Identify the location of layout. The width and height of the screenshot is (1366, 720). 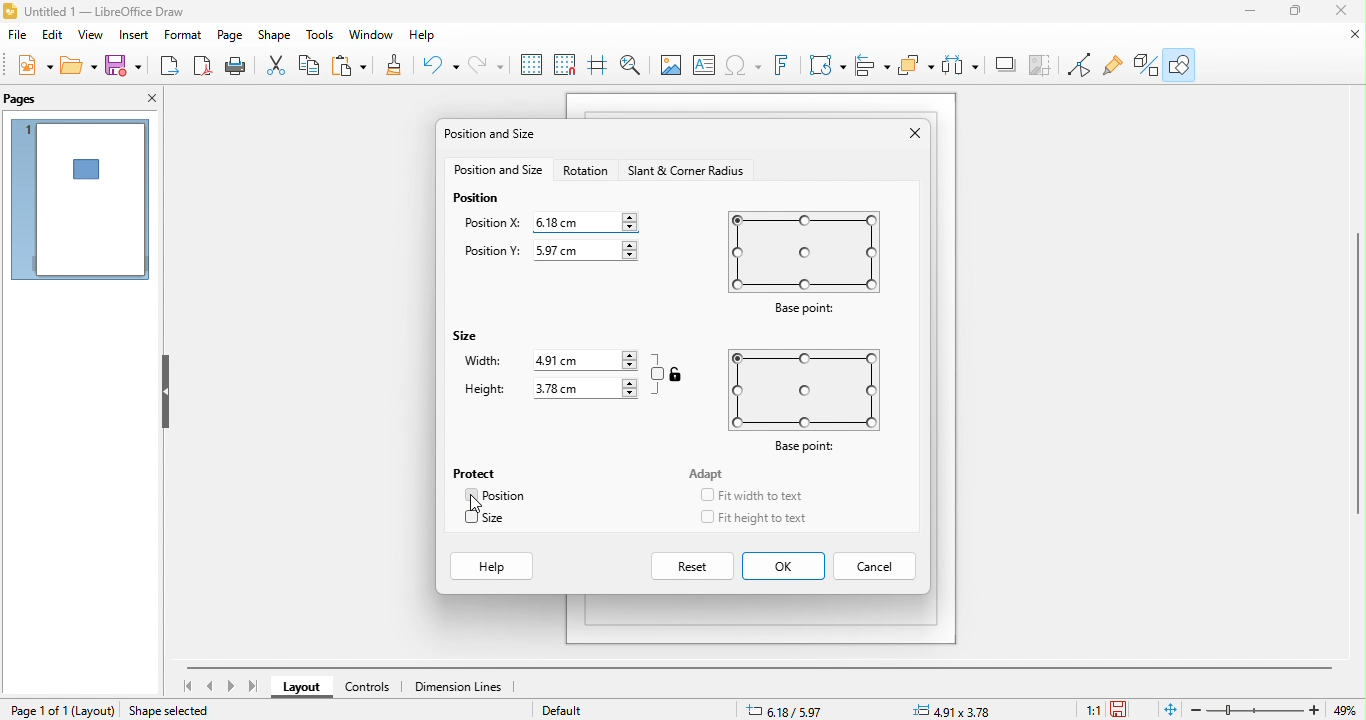
(96, 710).